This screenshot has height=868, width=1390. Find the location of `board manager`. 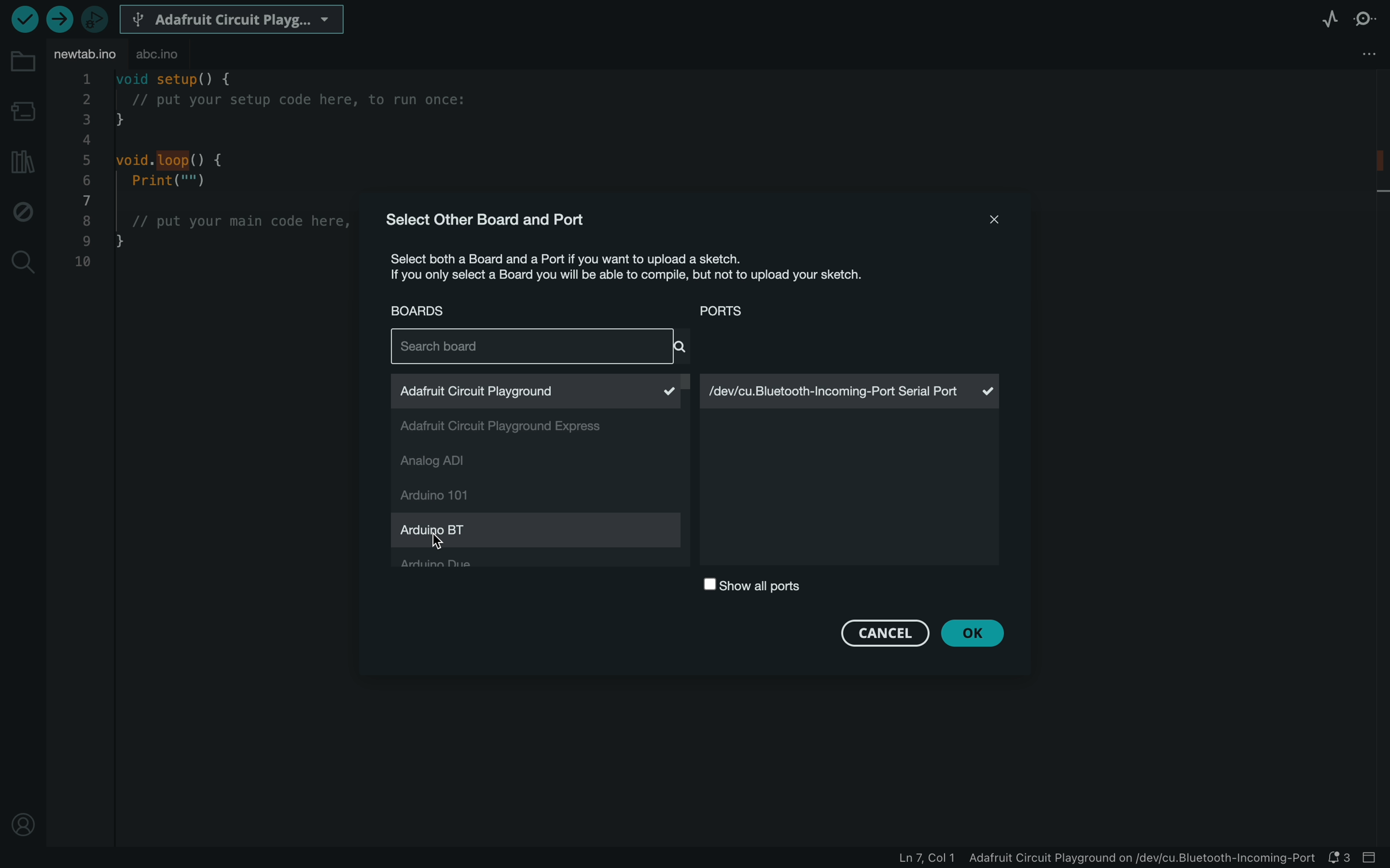

board manager is located at coordinates (24, 110).